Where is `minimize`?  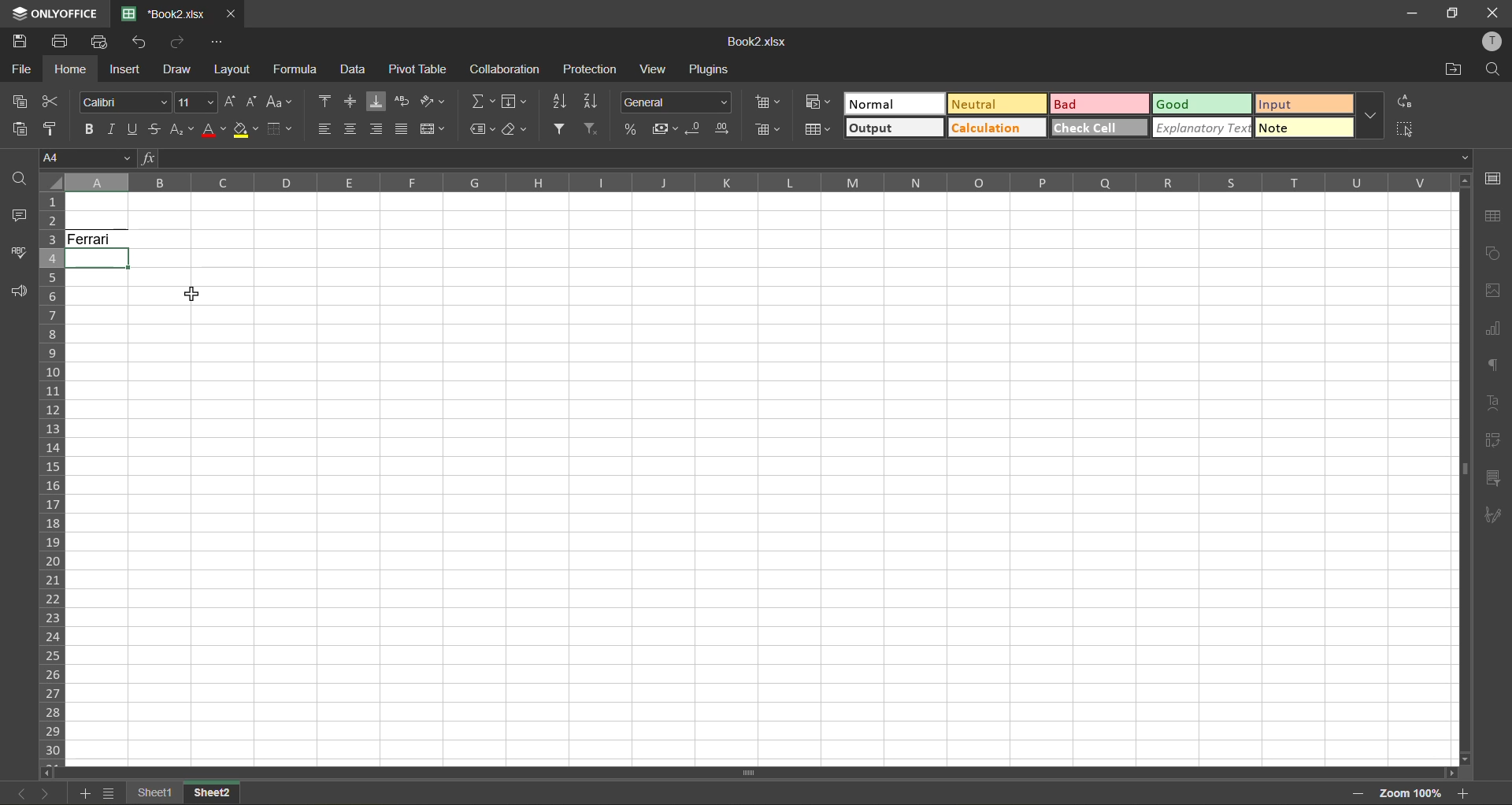 minimize is located at coordinates (1413, 12).